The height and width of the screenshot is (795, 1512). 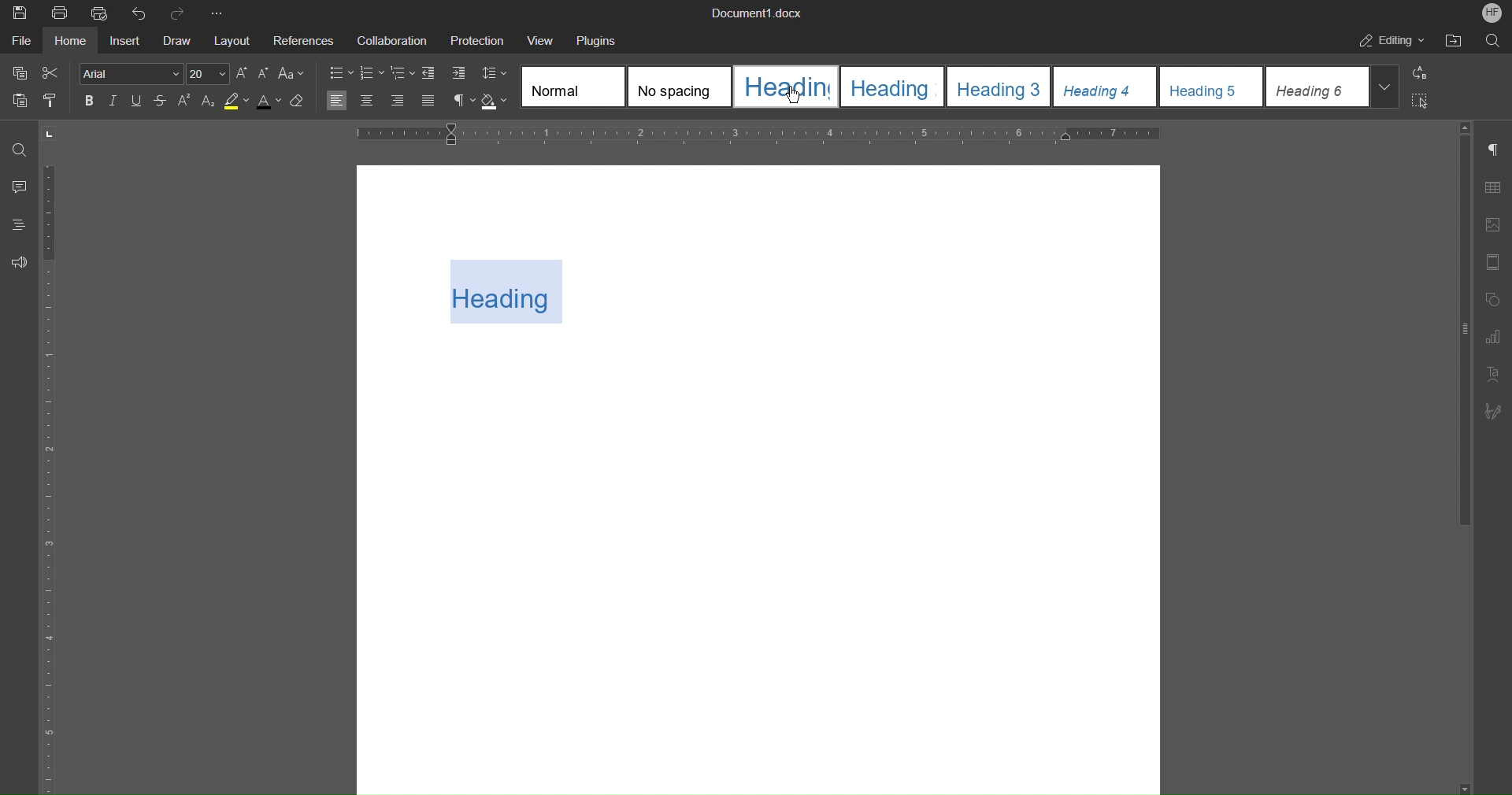 I want to click on More headings, so click(x=1384, y=87).